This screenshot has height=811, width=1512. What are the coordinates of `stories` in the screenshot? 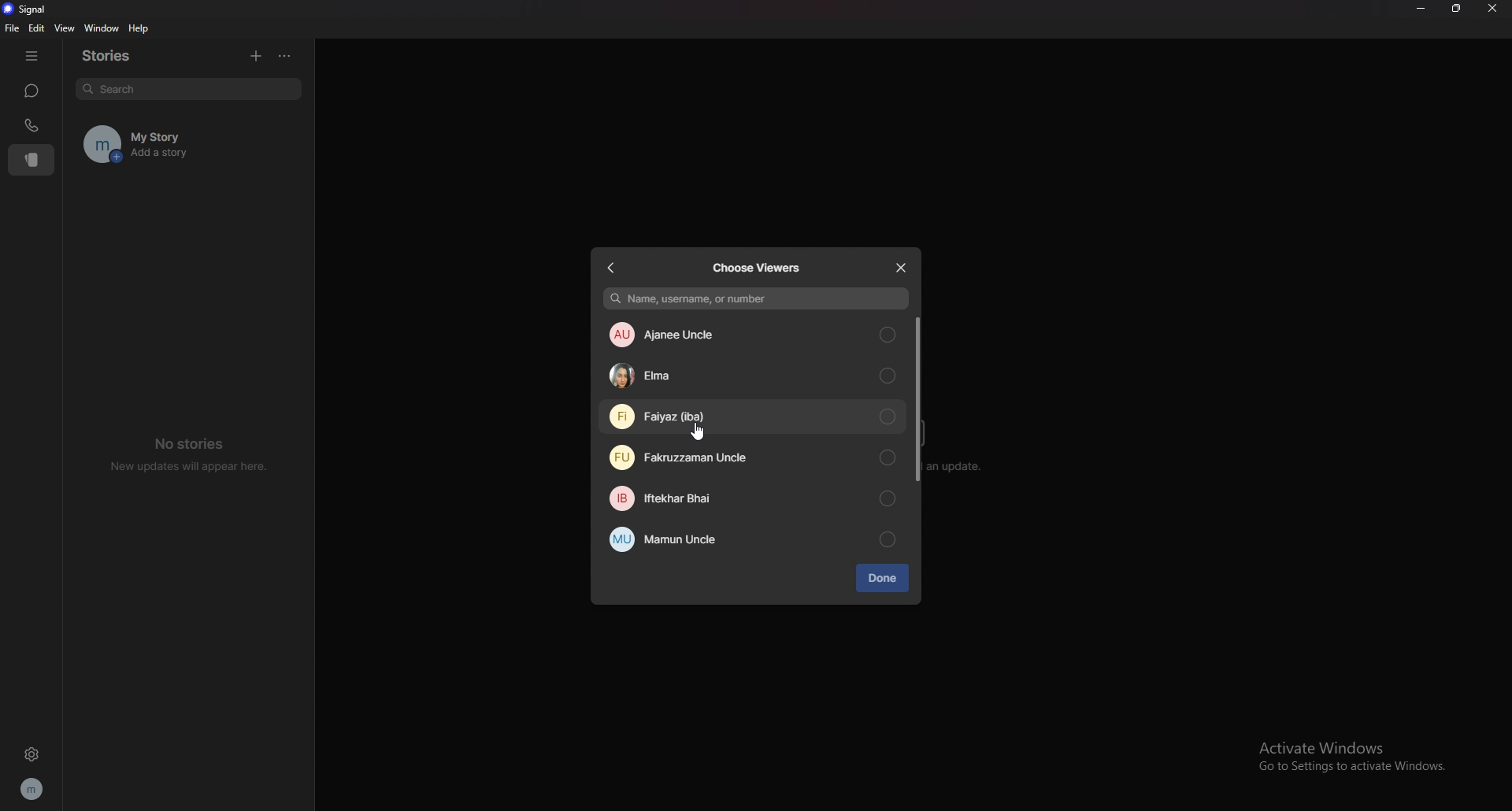 It's located at (31, 161).